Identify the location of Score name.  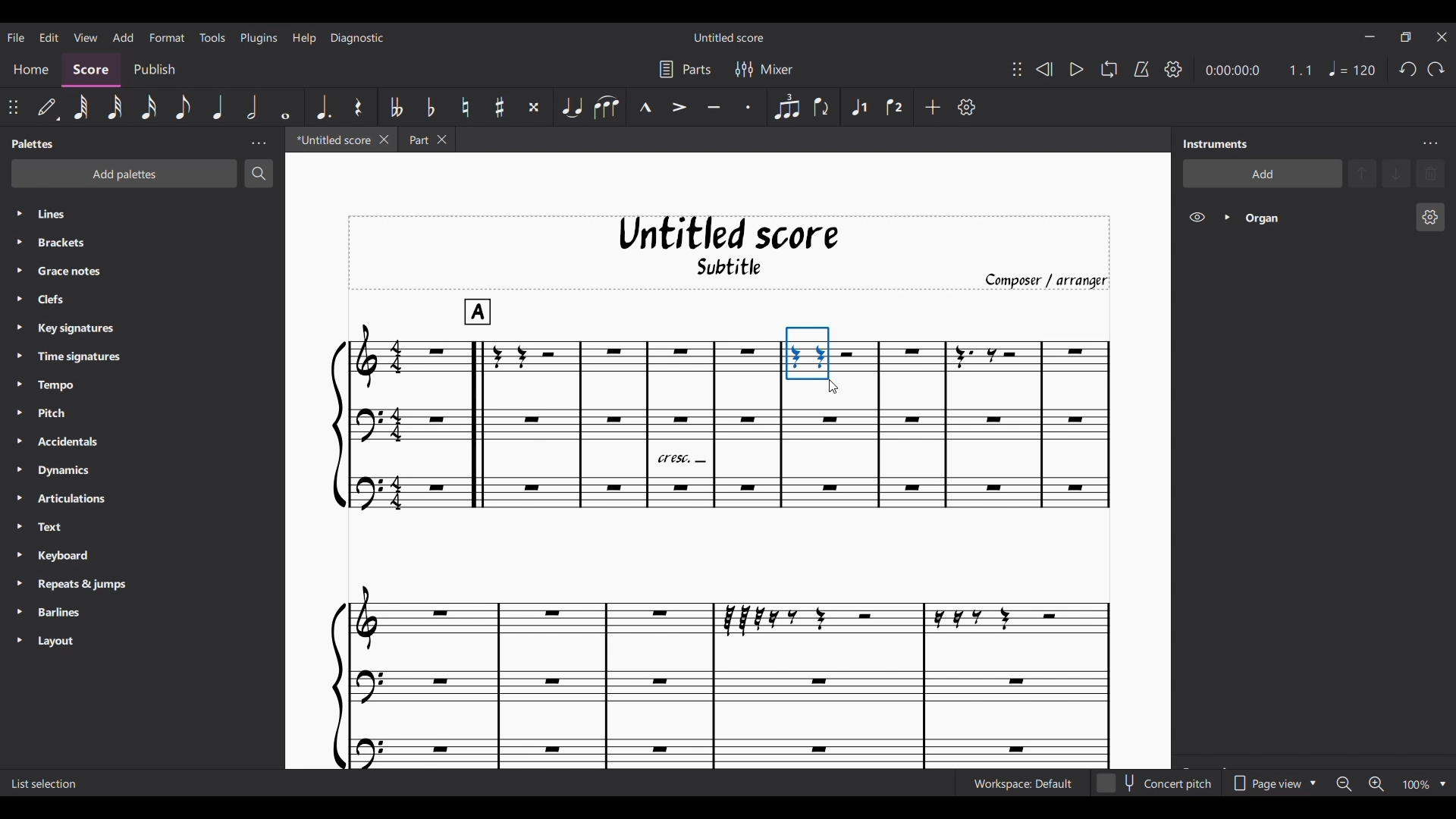
(730, 36).